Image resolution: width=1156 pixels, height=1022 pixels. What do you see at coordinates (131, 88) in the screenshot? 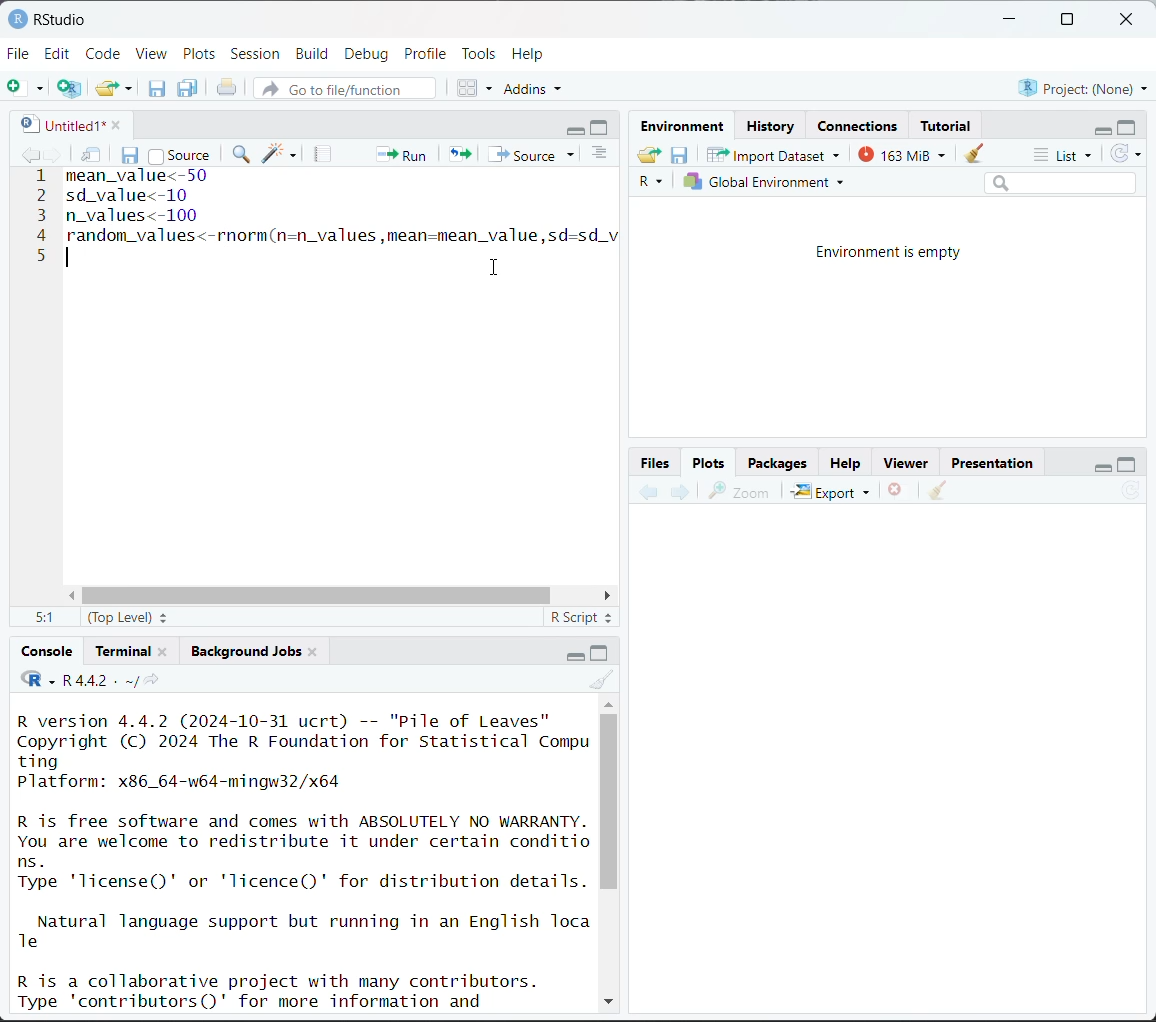
I see `clear list` at bounding box center [131, 88].